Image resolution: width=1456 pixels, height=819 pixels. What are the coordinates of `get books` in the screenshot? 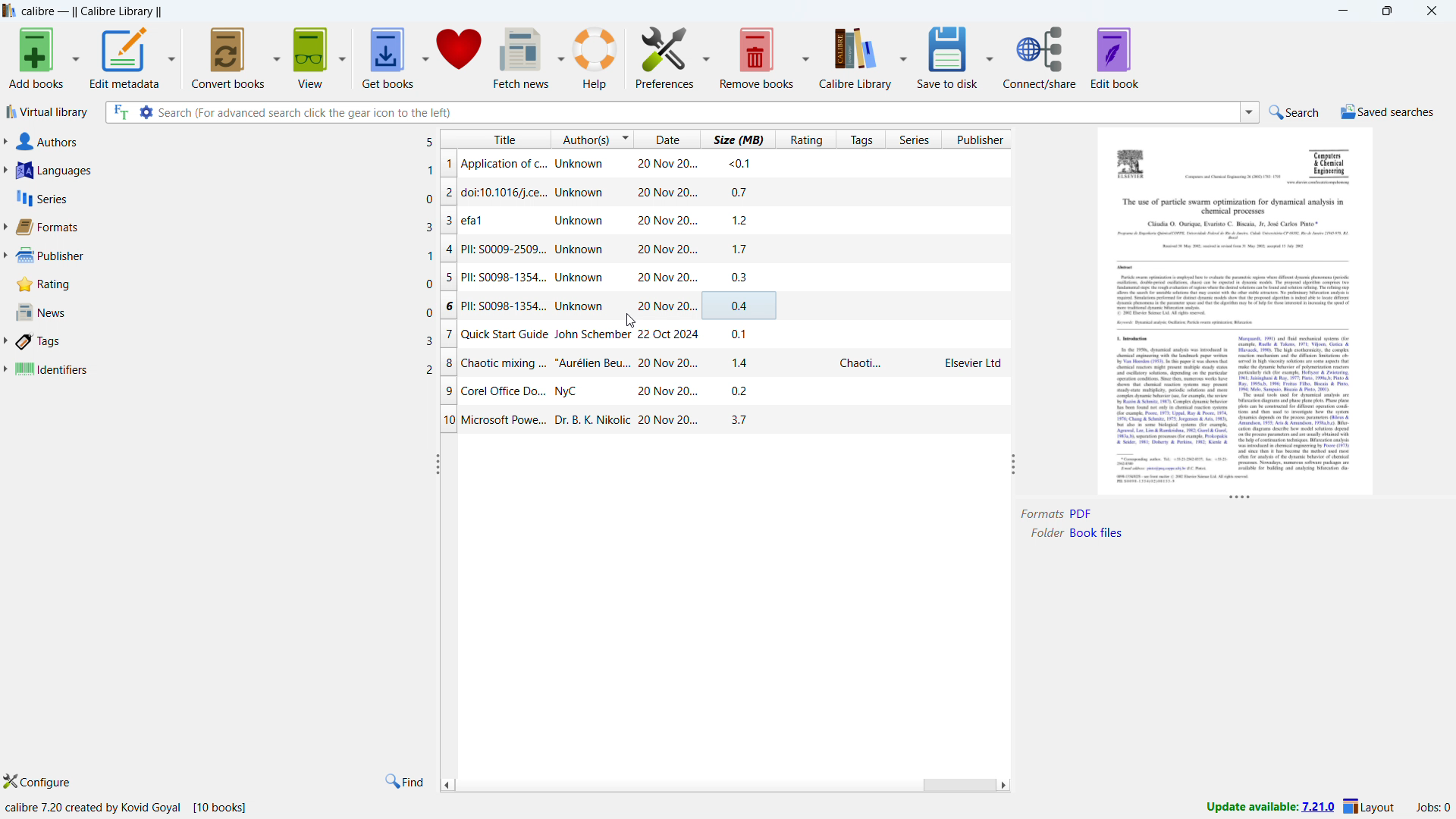 It's located at (388, 56).